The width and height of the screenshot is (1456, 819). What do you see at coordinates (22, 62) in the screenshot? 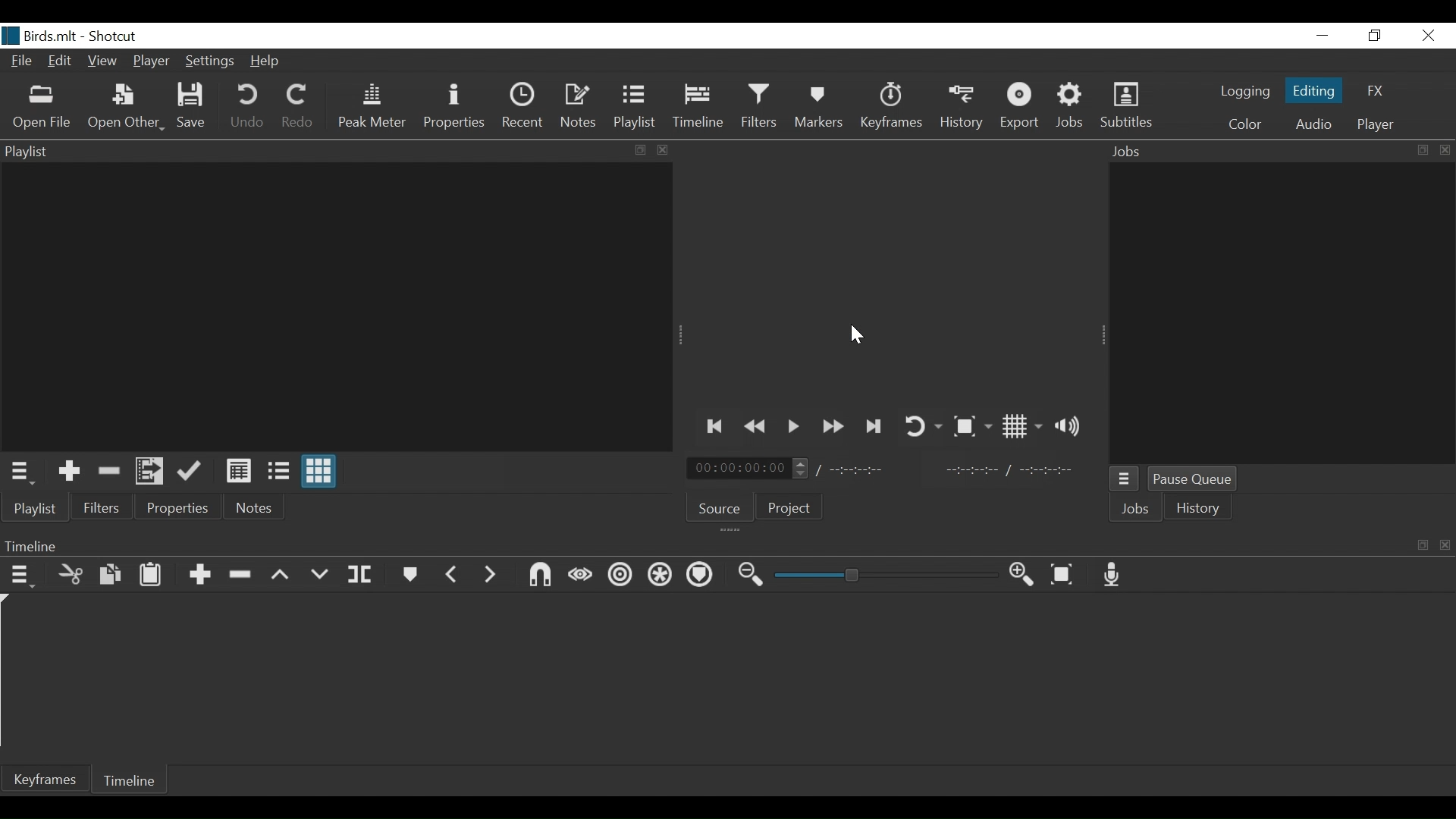
I see `File` at bounding box center [22, 62].